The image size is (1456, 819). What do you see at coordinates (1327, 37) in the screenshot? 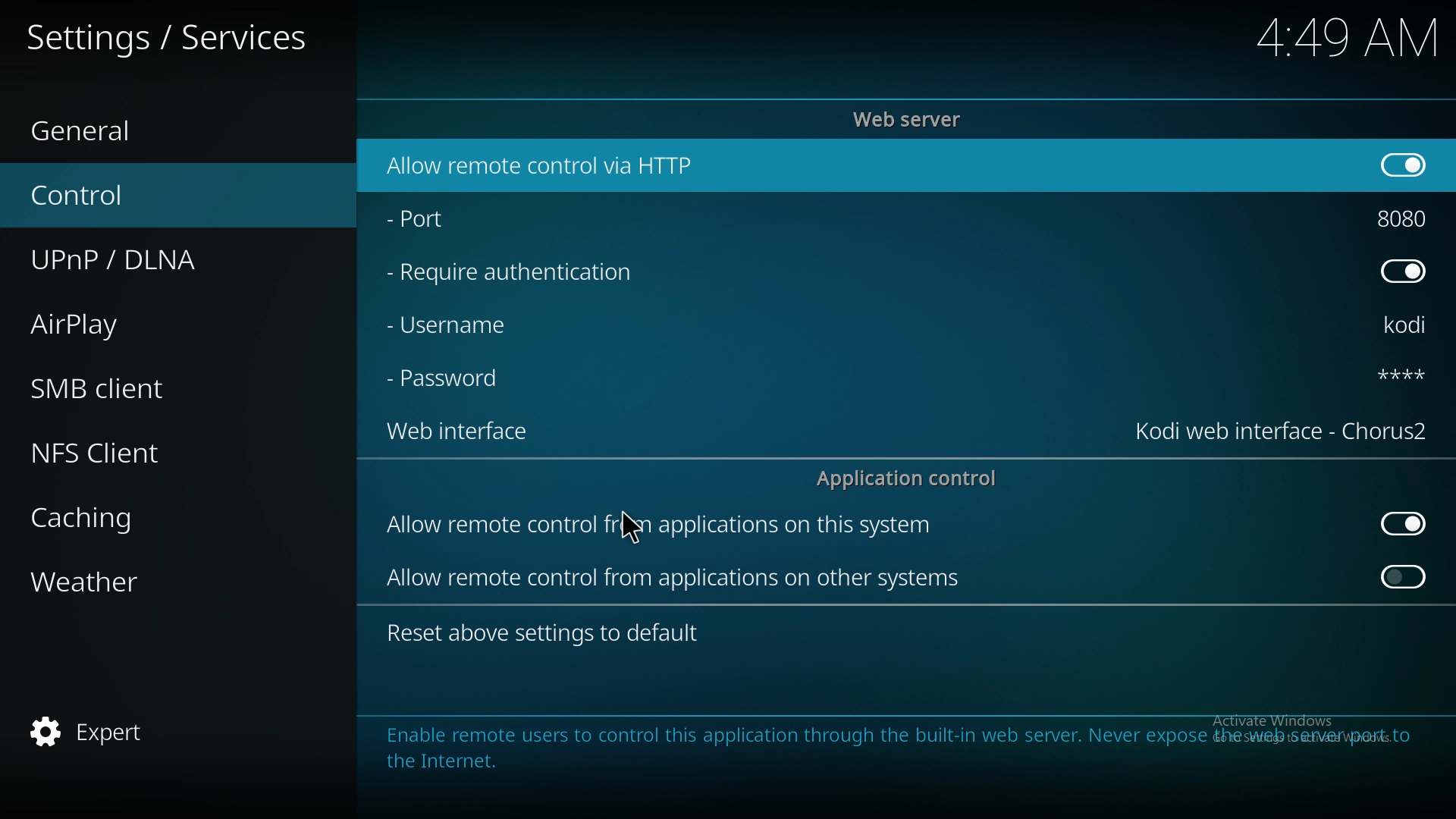
I see `` at bounding box center [1327, 37].